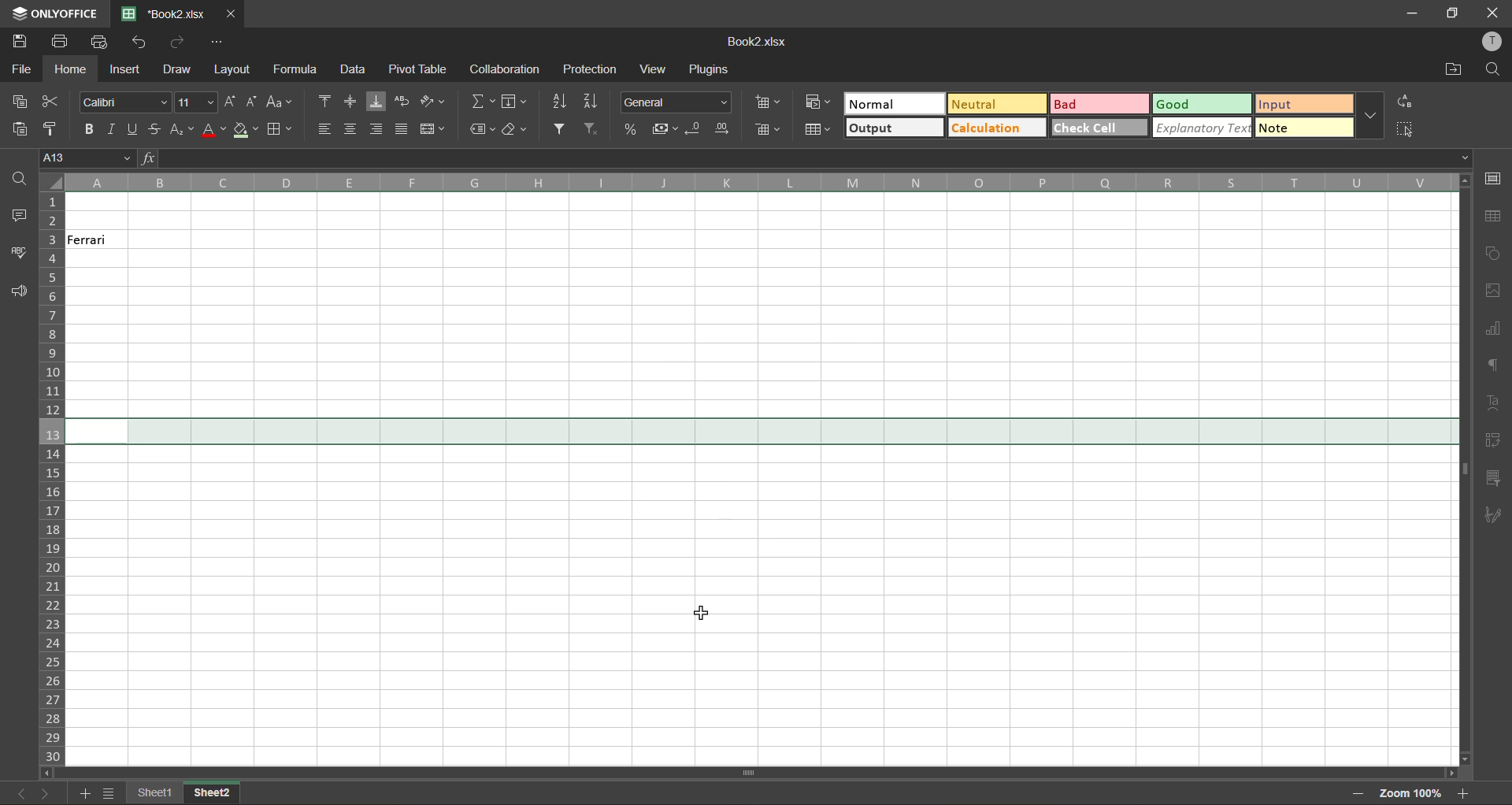 Image resolution: width=1512 pixels, height=805 pixels. What do you see at coordinates (760, 432) in the screenshot?
I see `row height increased` at bounding box center [760, 432].